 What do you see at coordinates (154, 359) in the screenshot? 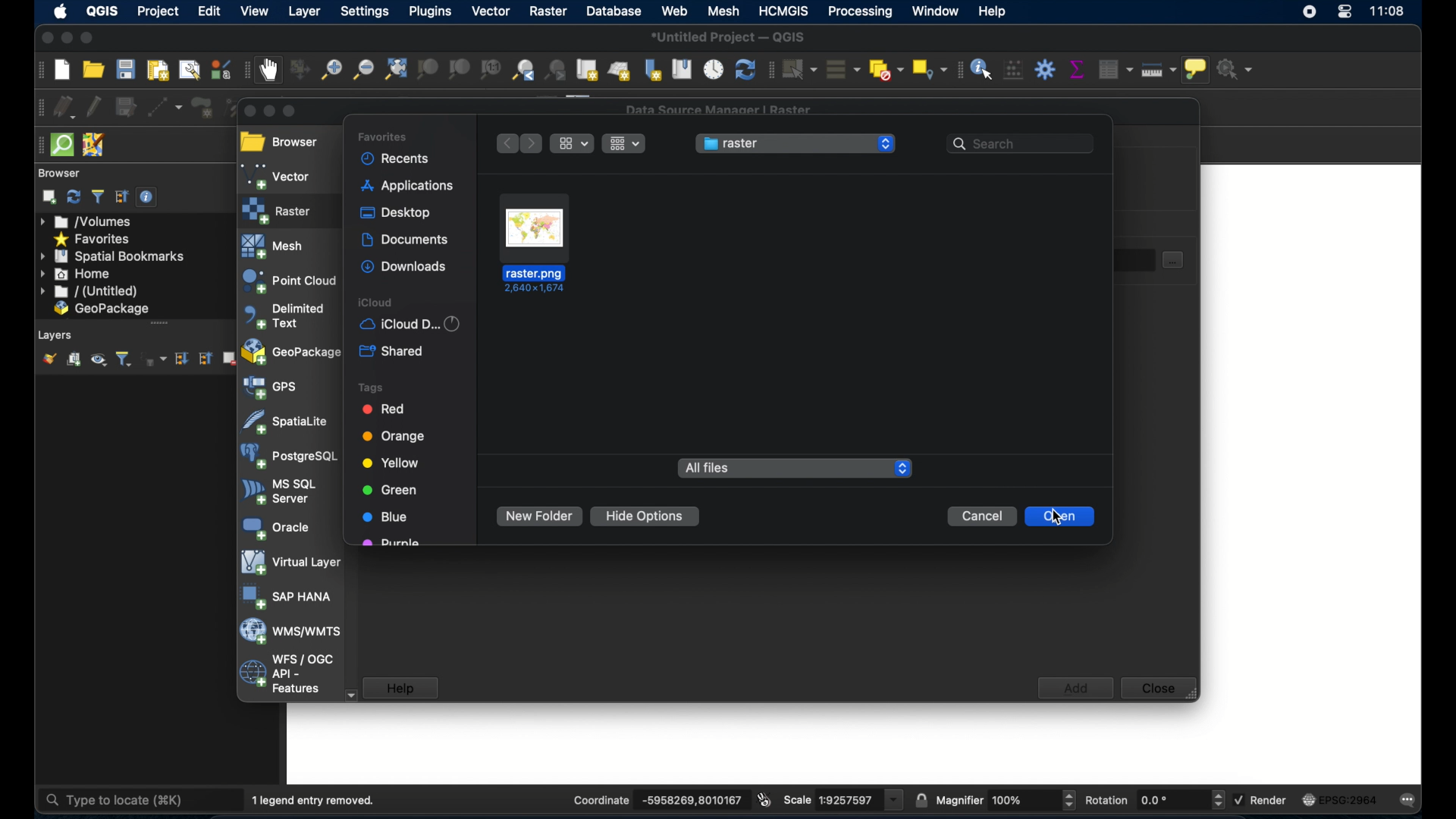
I see `filter layer by expression` at bounding box center [154, 359].